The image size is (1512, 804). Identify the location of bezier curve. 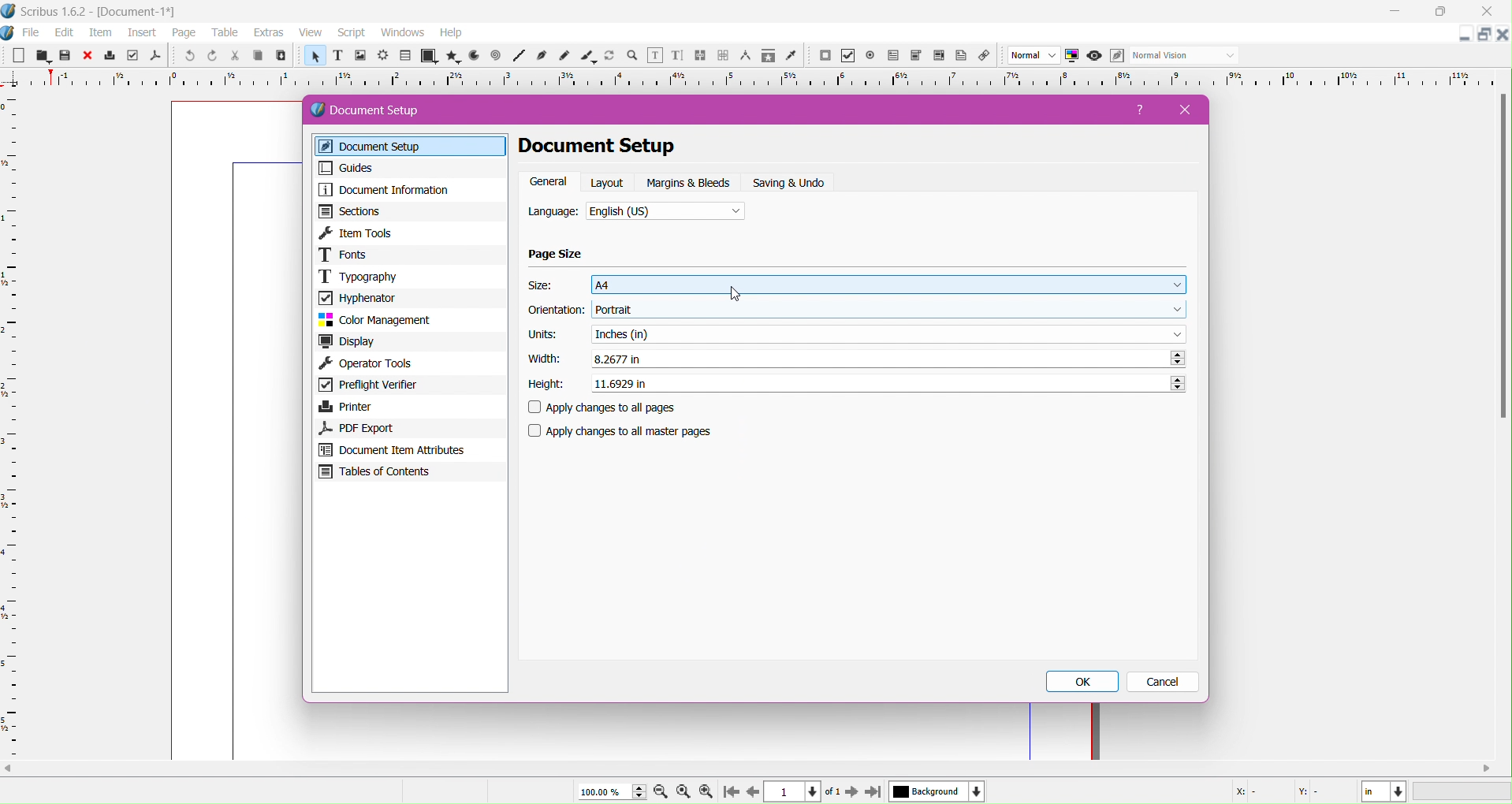
(543, 56).